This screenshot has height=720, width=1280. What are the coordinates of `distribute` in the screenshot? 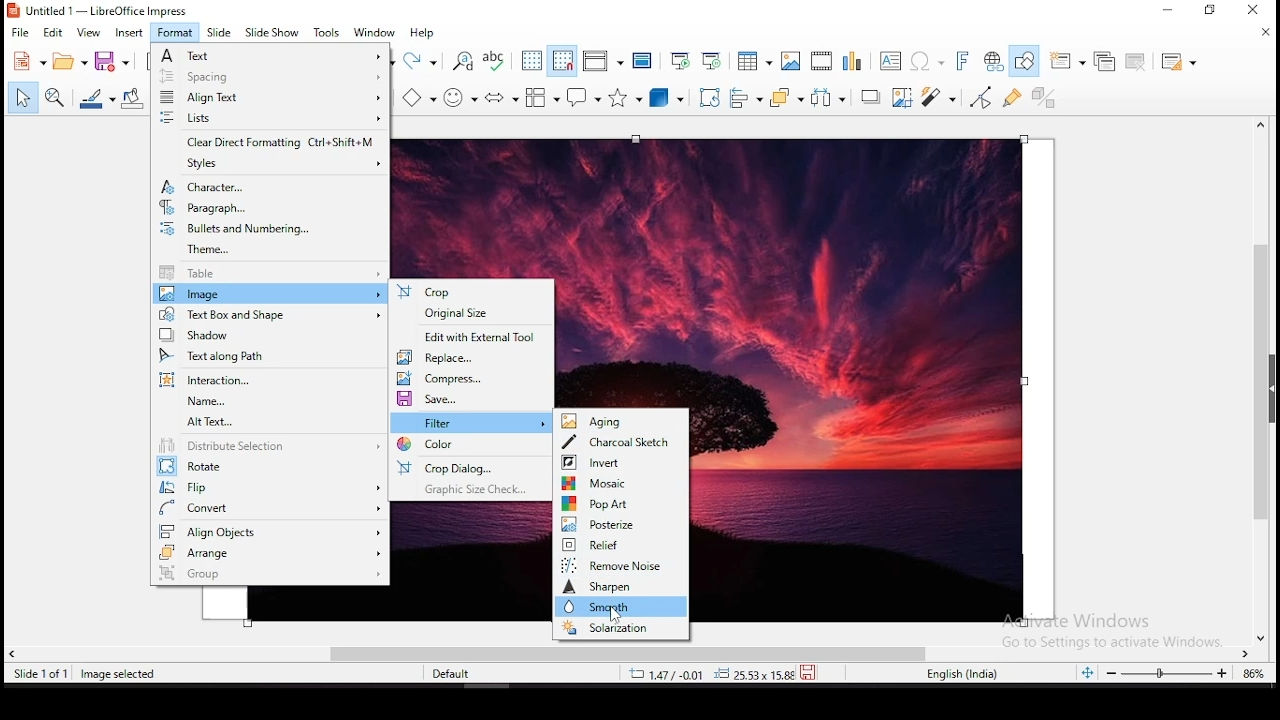 It's located at (828, 99).